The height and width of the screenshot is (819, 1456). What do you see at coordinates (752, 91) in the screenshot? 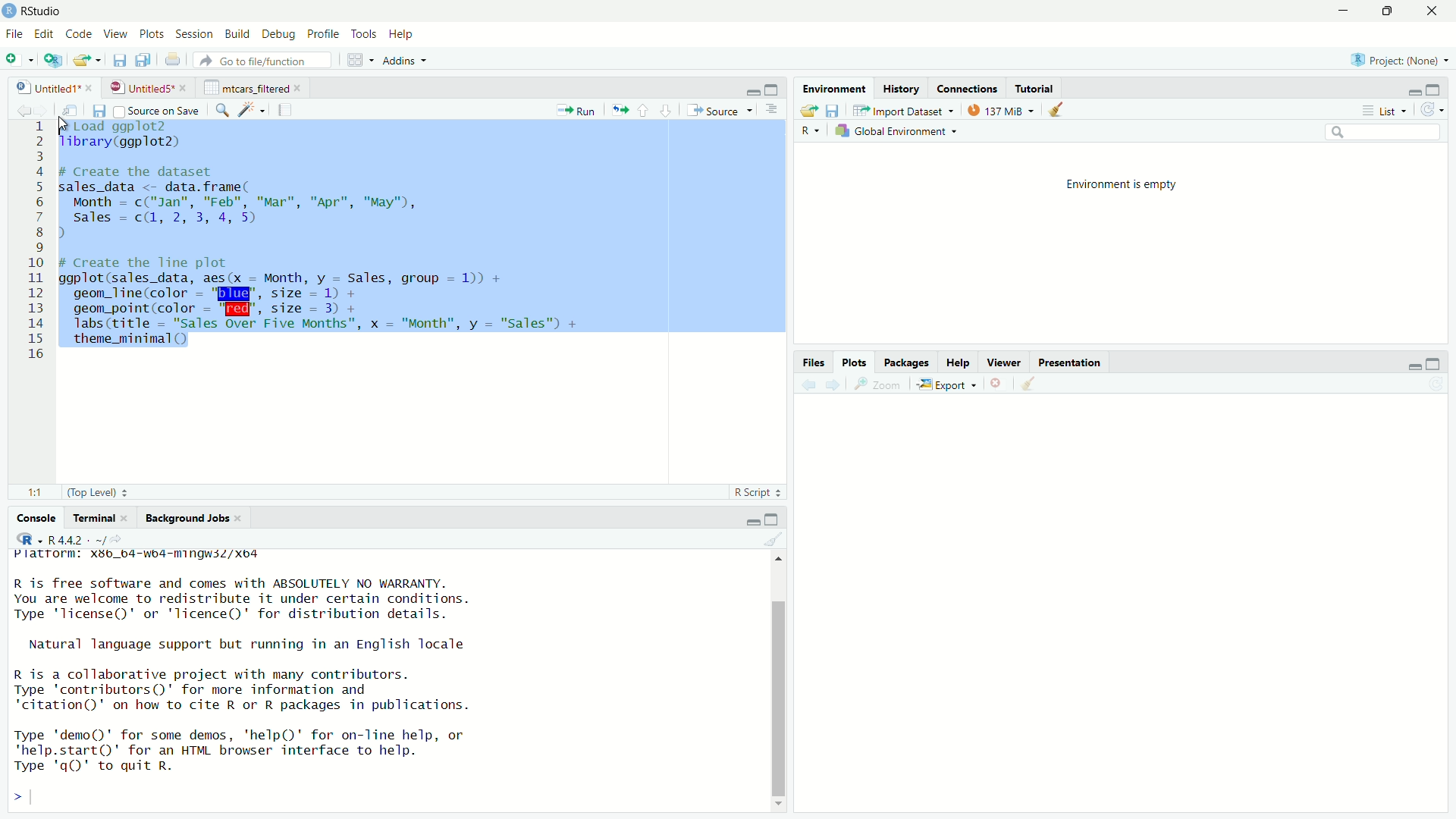
I see `minimize` at bounding box center [752, 91].